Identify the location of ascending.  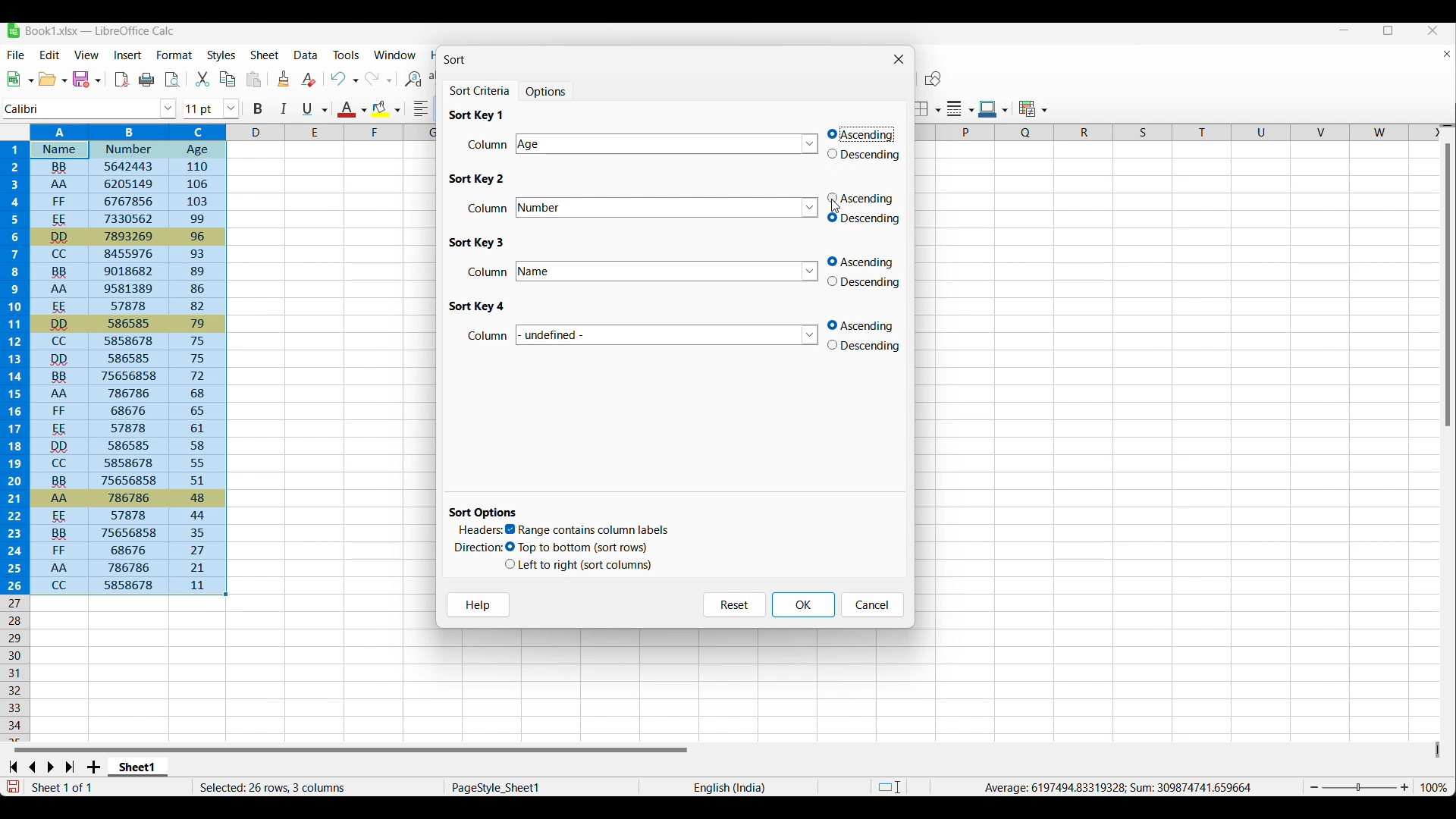
(865, 262).